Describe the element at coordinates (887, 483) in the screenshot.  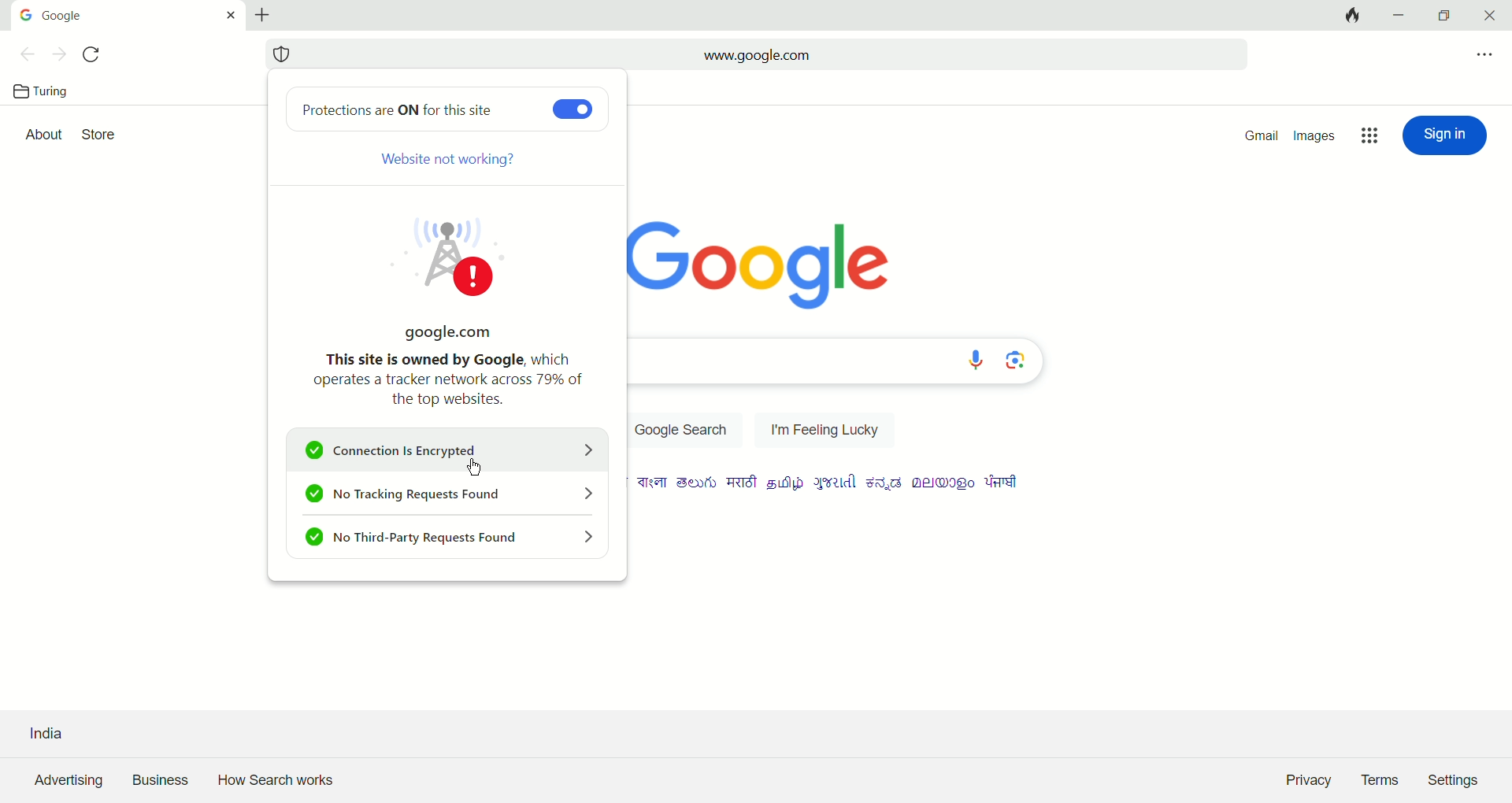
I see `language` at that location.